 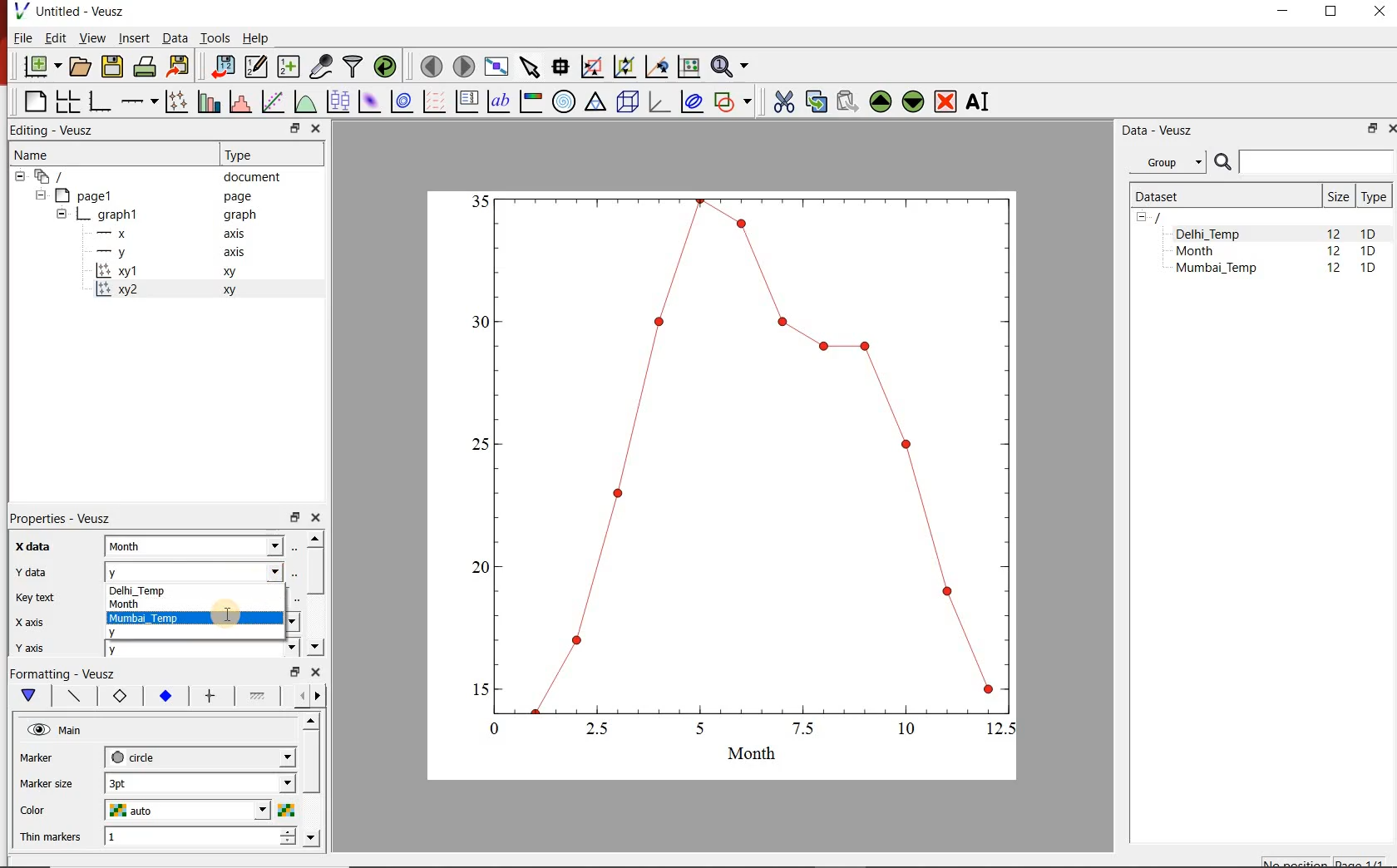 What do you see at coordinates (35, 546) in the screenshot?
I see `x-data` at bounding box center [35, 546].